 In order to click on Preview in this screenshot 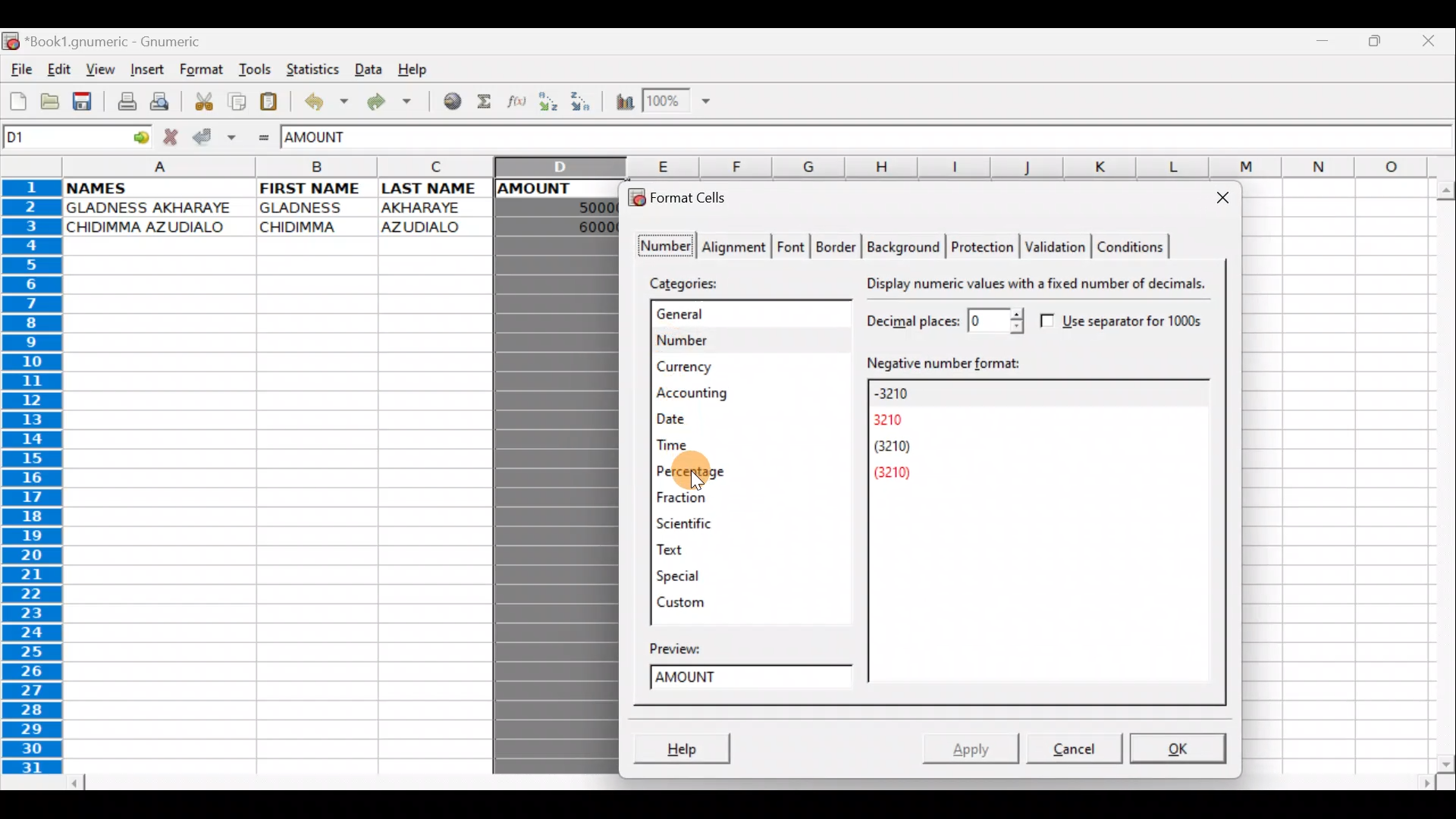, I will do `click(693, 646)`.